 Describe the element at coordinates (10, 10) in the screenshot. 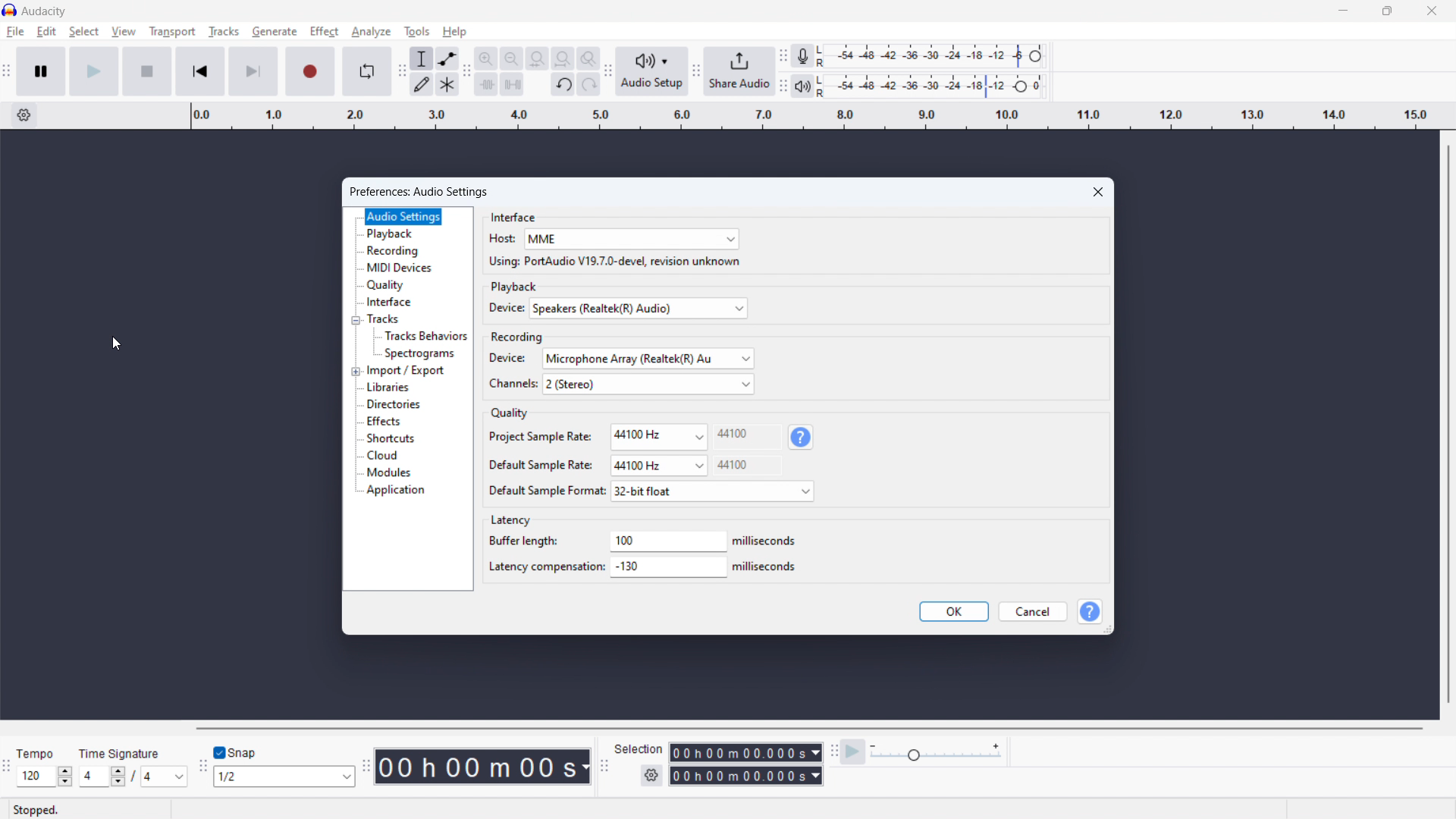

I see `logo` at that location.